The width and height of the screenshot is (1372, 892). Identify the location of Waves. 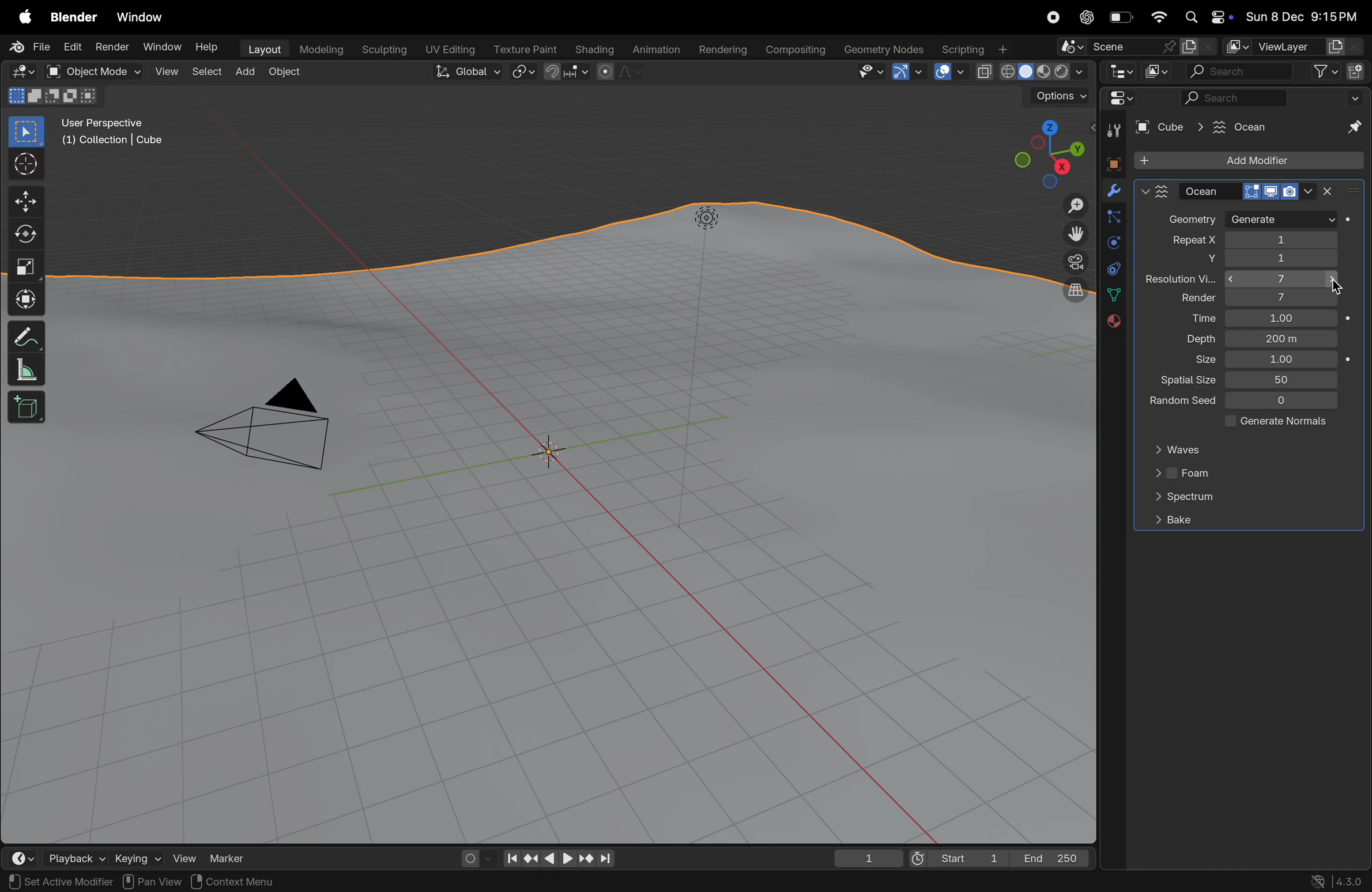
(1183, 450).